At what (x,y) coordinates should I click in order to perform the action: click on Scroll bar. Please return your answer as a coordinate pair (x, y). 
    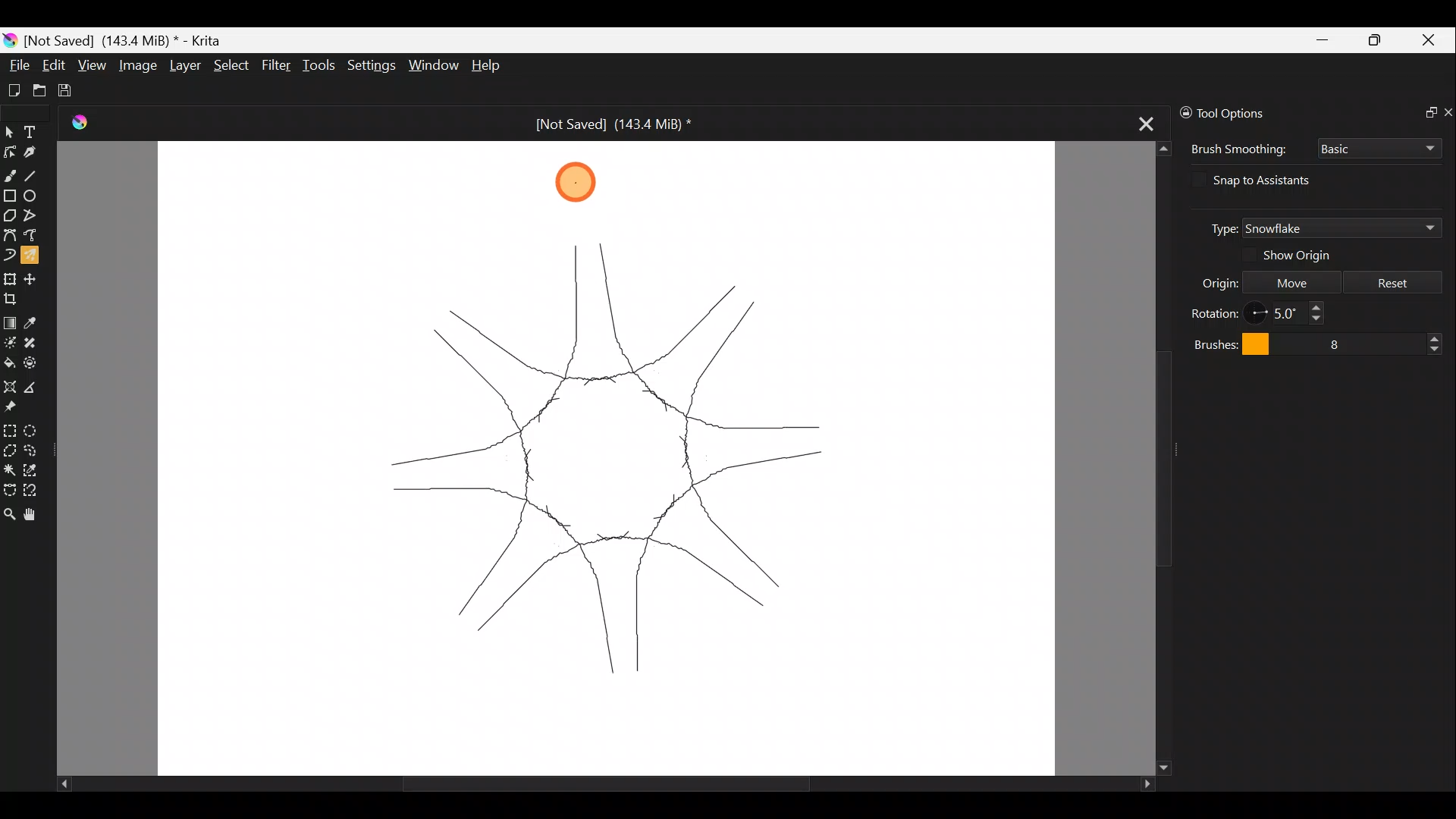
    Looking at the image, I should click on (1150, 459).